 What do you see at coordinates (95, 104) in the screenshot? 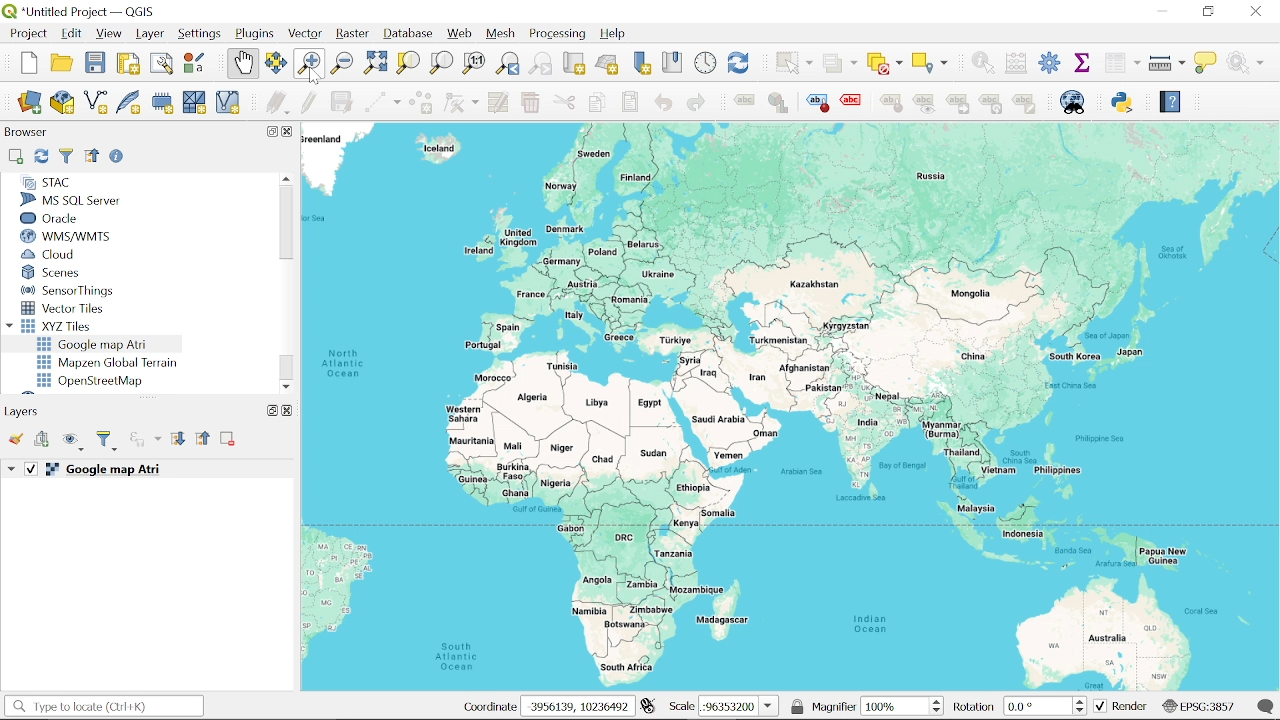
I see `New shapefile layer` at bounding box center [95, 104].